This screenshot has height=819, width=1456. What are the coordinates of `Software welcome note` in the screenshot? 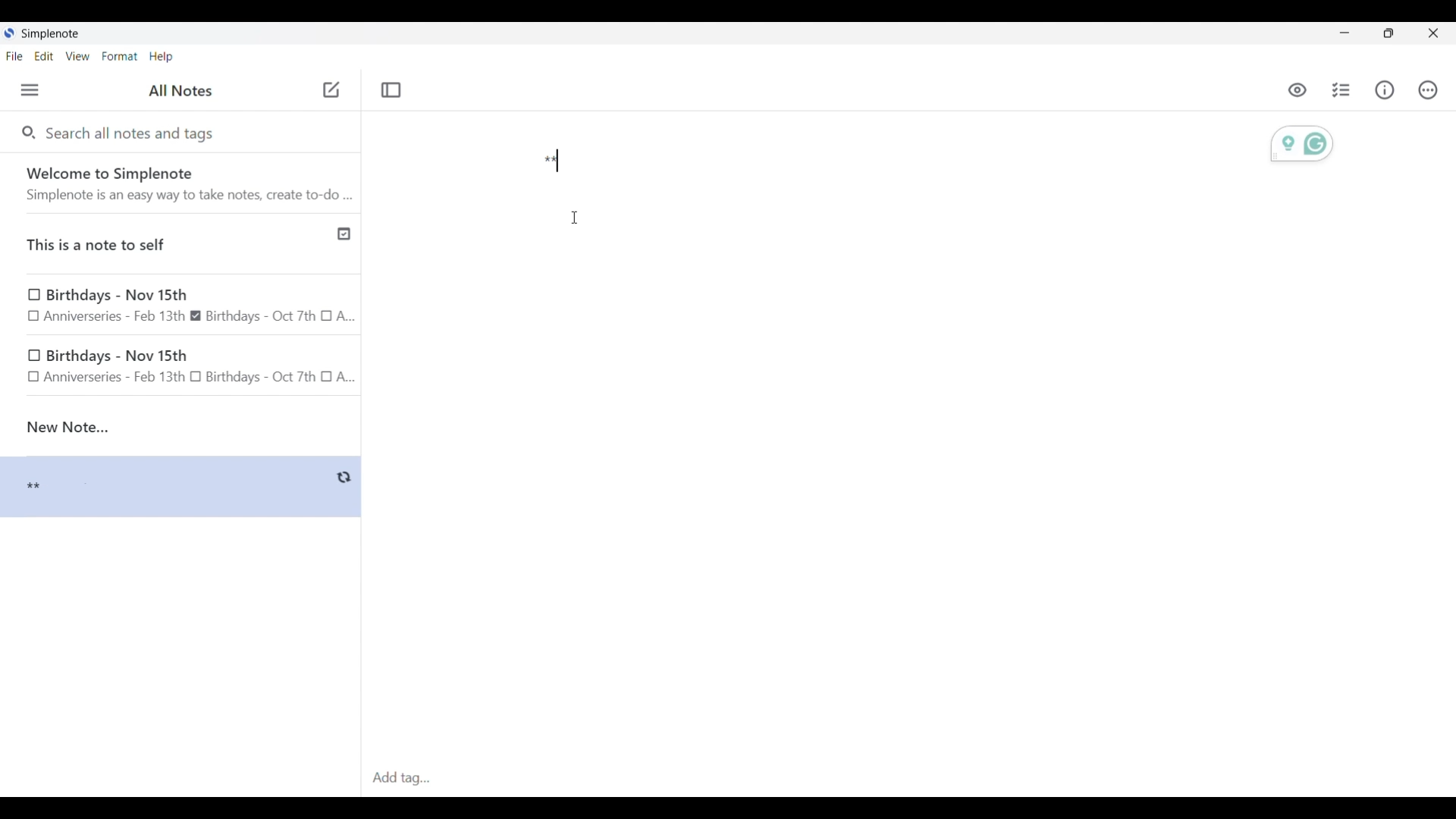 It's located at (184, 183).